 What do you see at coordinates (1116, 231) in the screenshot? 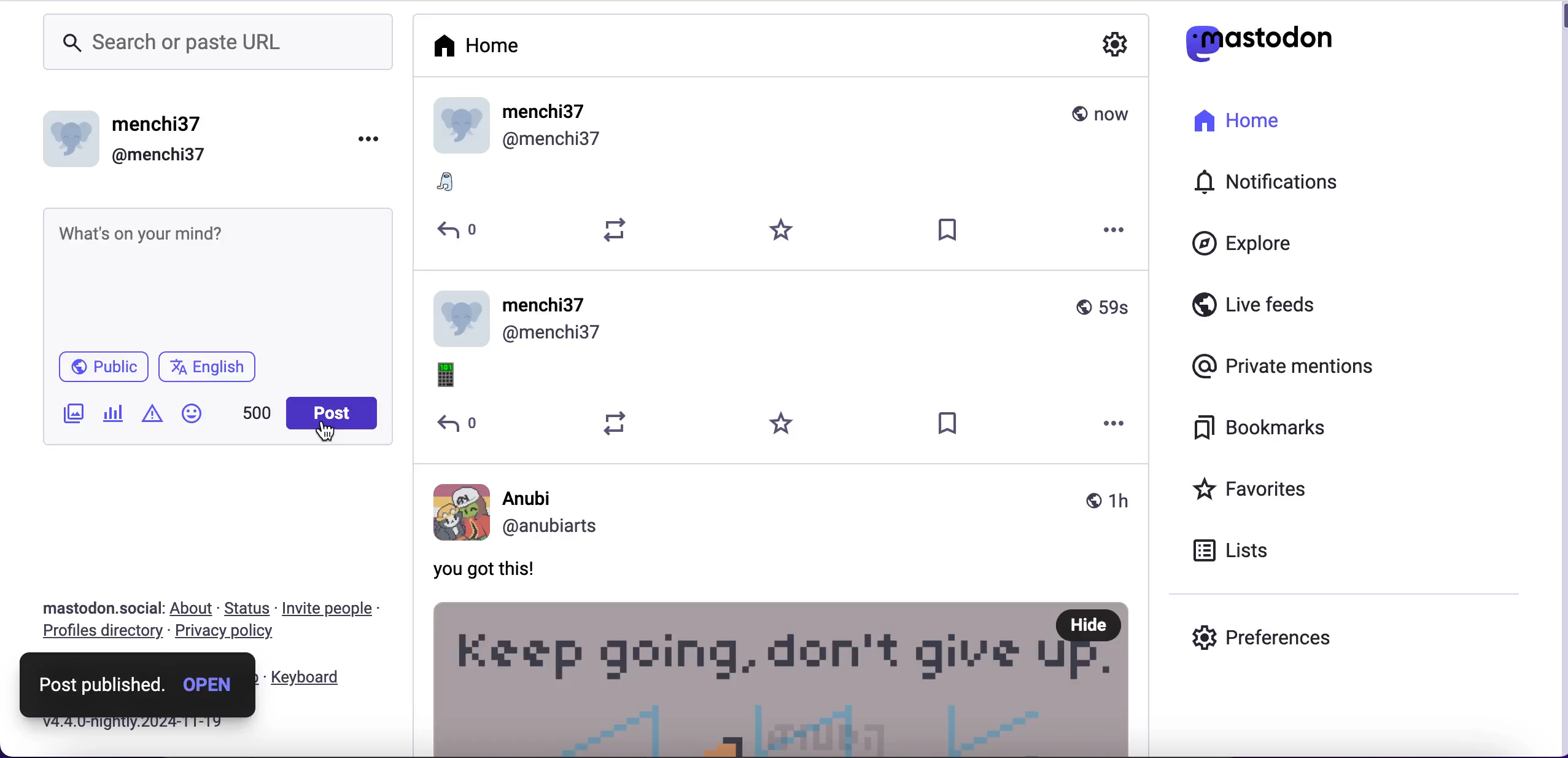
I see `more options` at bounding box center [1116, 231].